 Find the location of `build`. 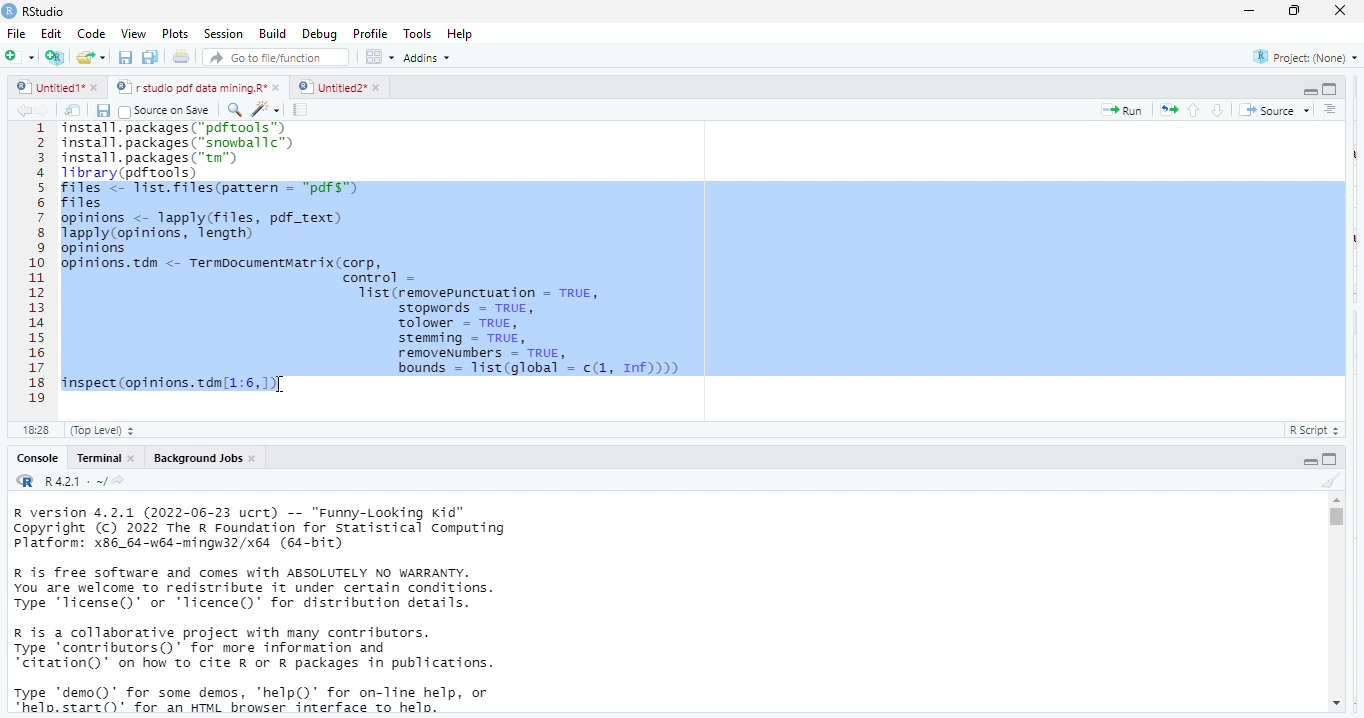

build is located at coordinates (273, 33).